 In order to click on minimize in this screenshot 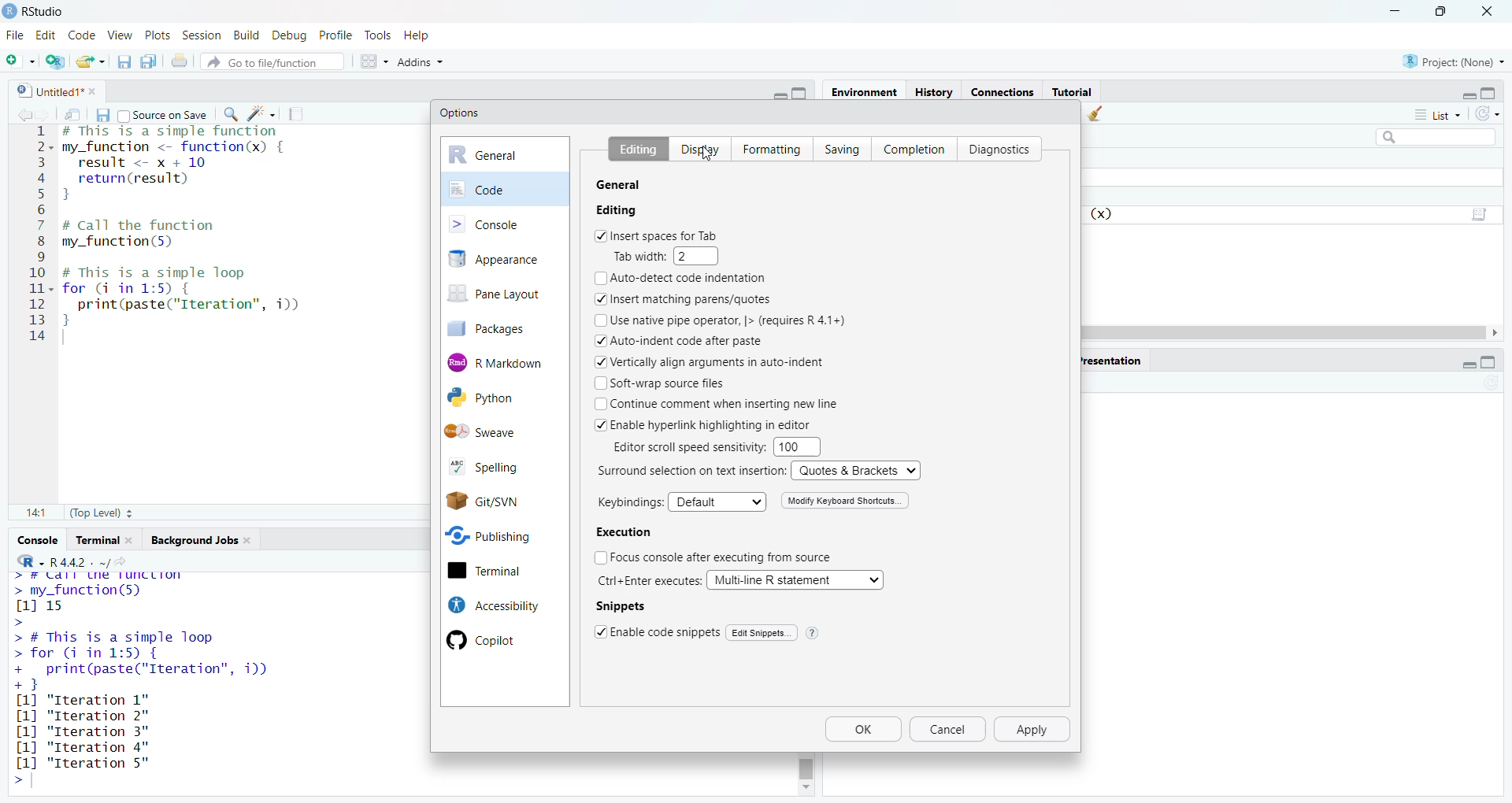, I will do `click(1394, 9)`.